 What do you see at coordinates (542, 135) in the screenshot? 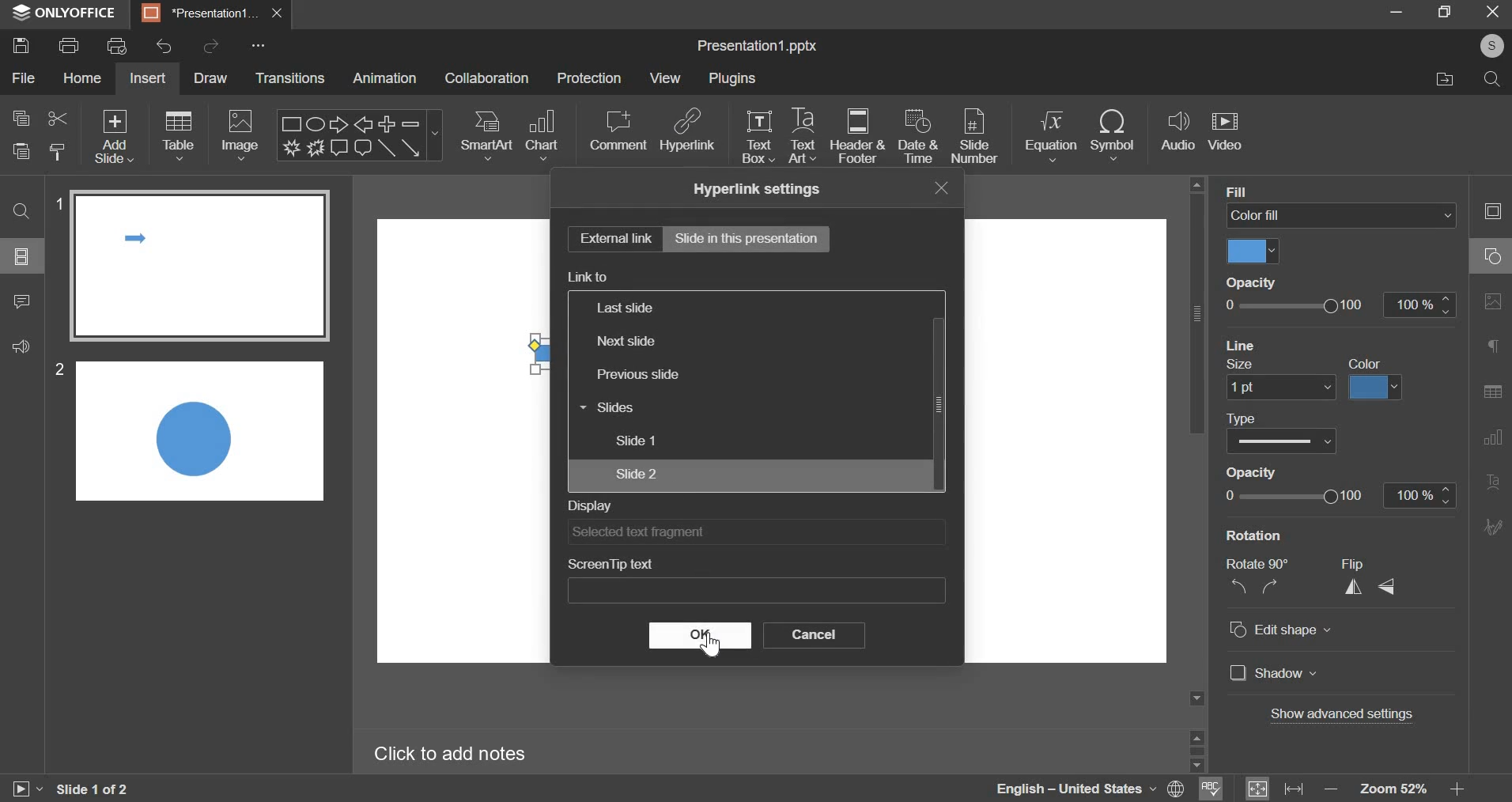
I see `chart` at bounding box center [542, 135].